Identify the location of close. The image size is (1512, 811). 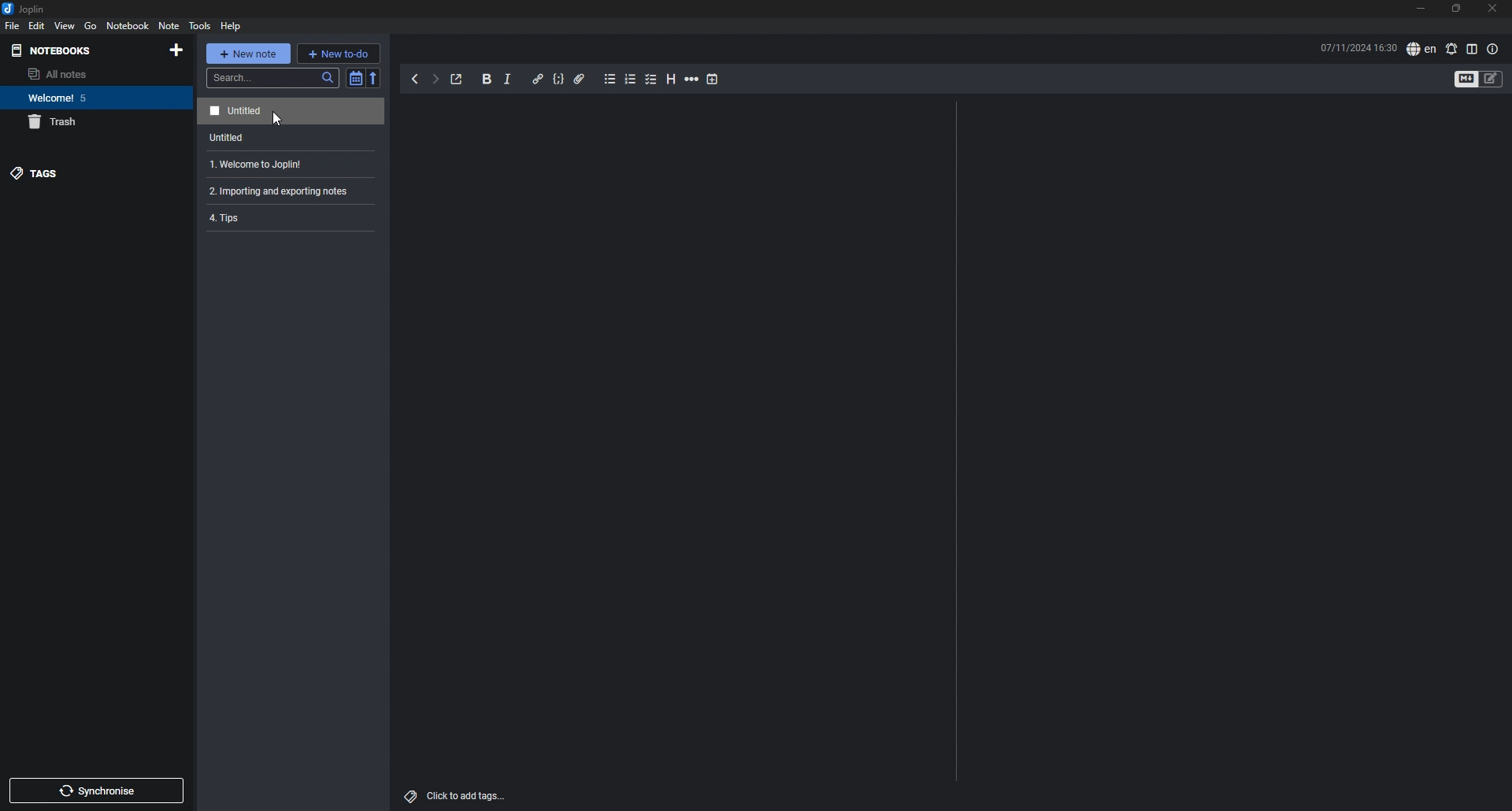
(1492, 9).